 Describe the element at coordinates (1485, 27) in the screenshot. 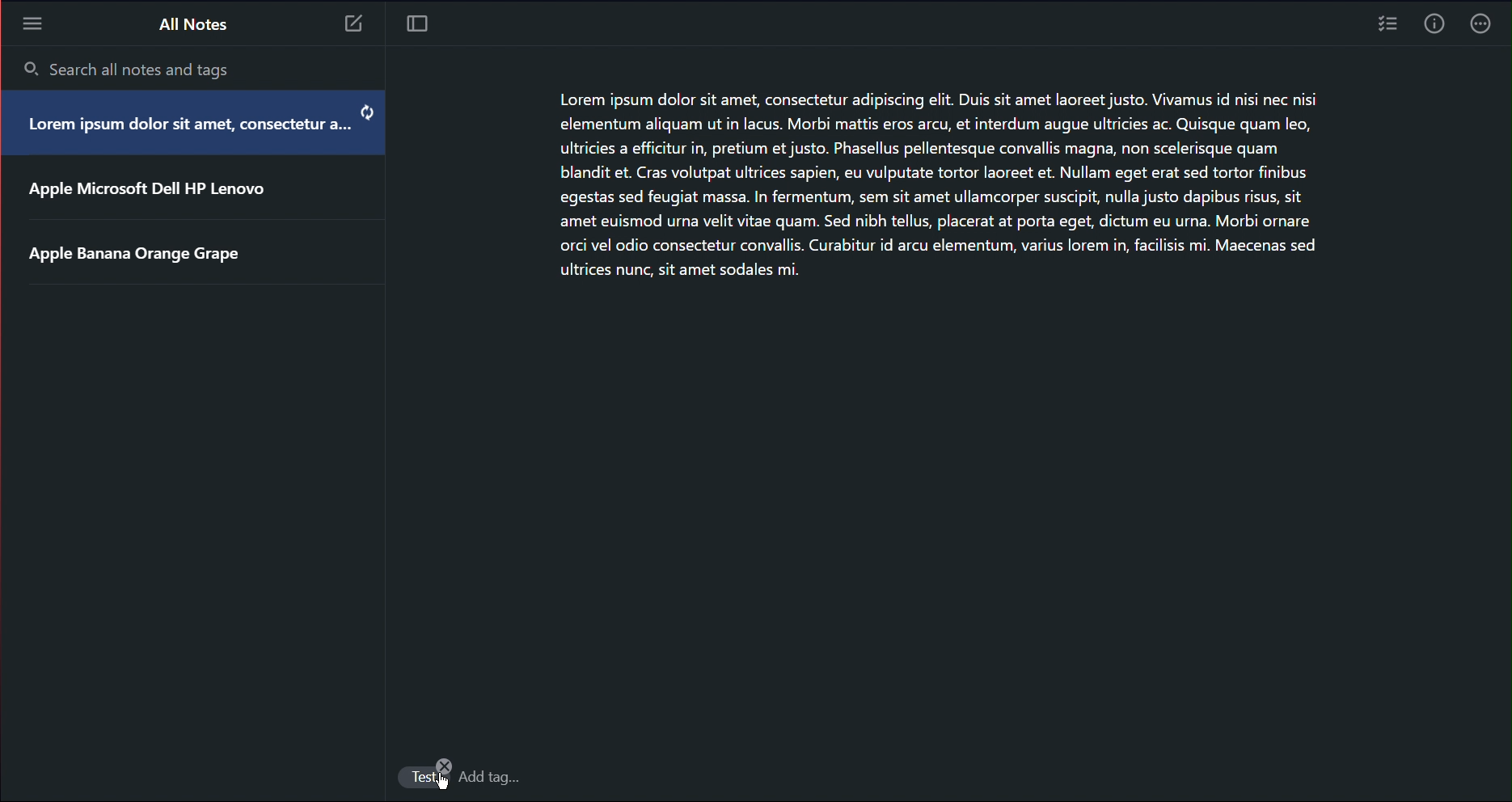

I see `More` at that location.